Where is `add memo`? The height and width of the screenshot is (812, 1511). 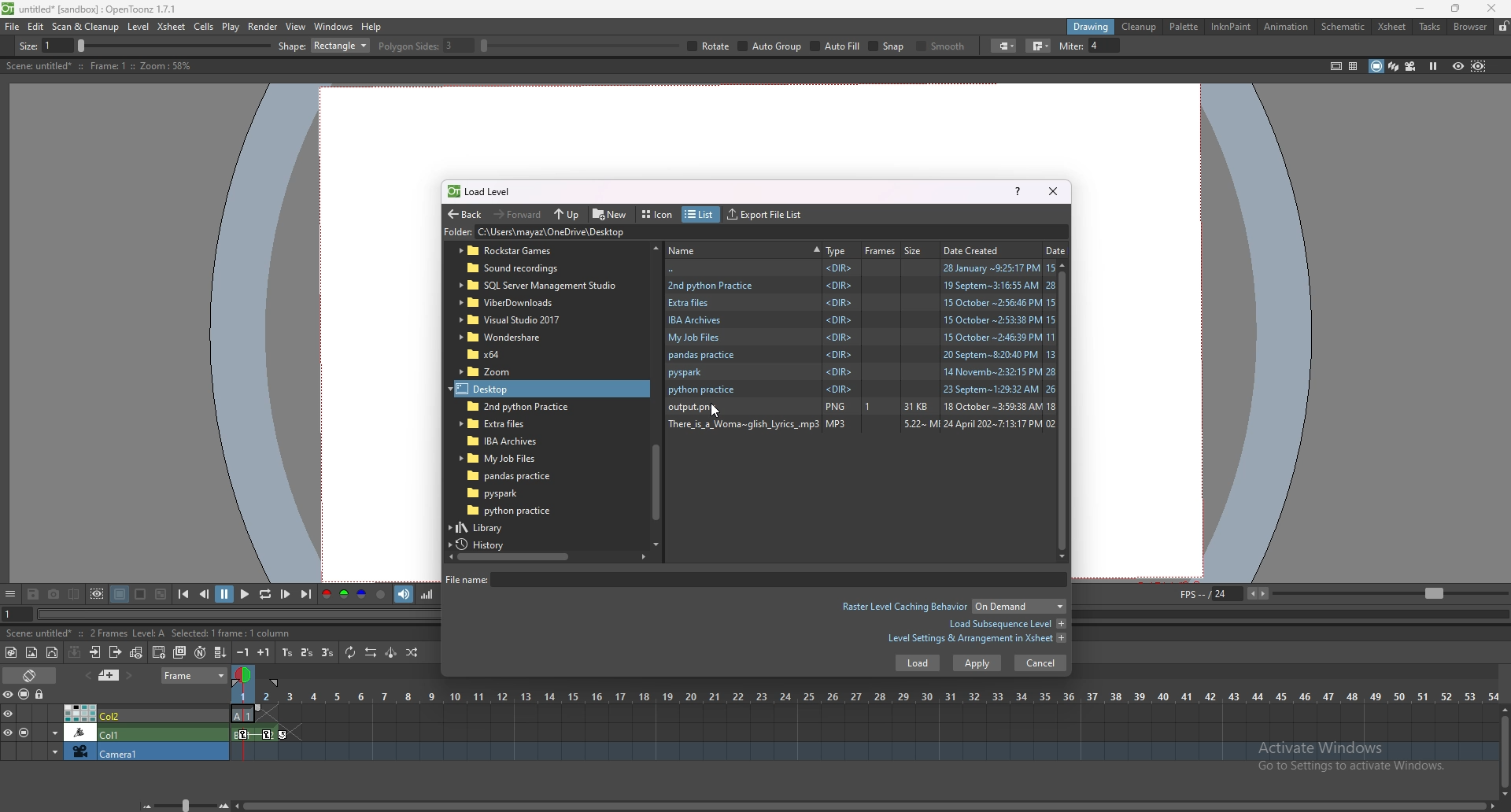
add memo is located at coordinates (109, 674).